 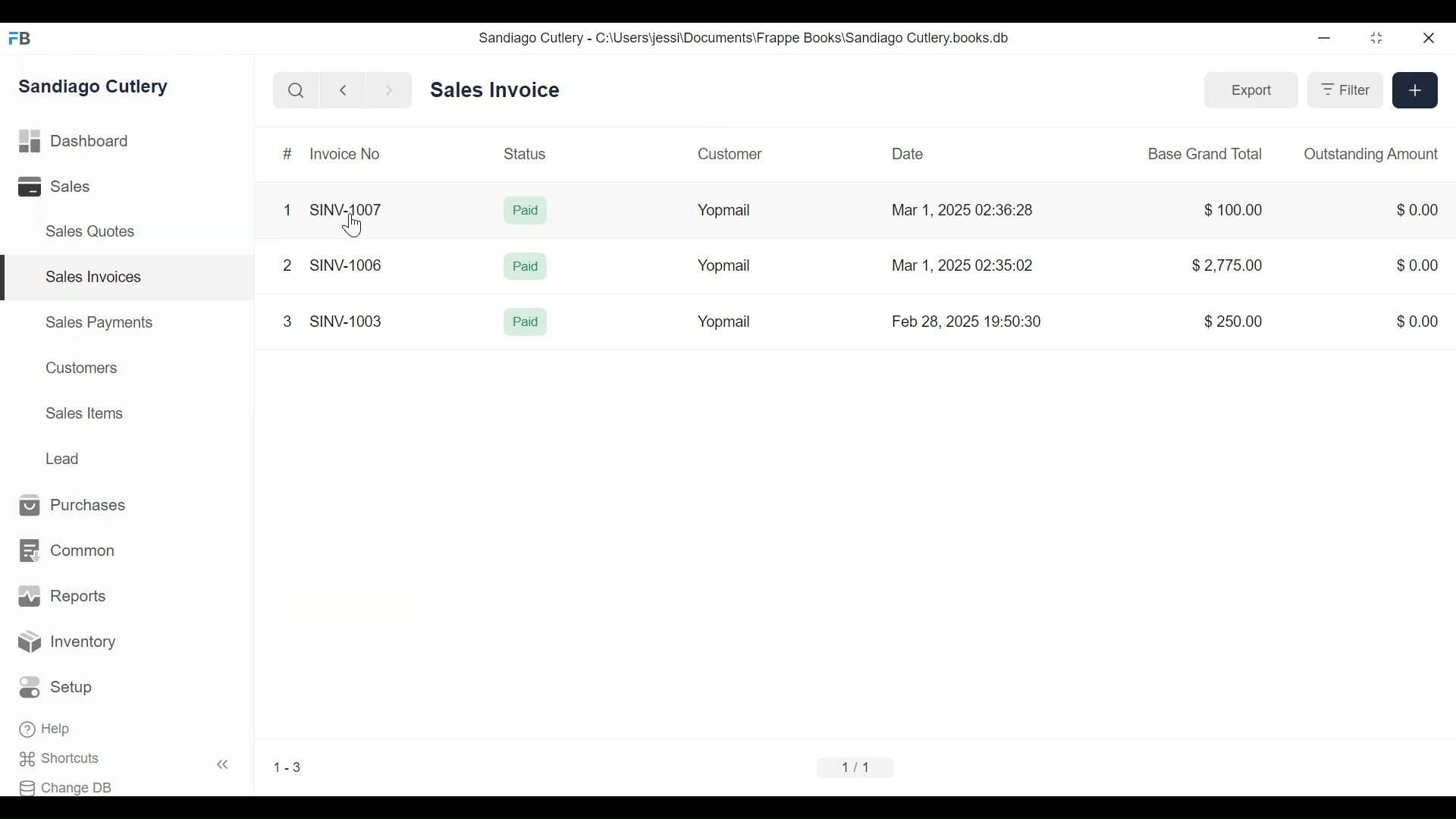 I want to click on Outstanding amount, so click(x=1371, y=155).